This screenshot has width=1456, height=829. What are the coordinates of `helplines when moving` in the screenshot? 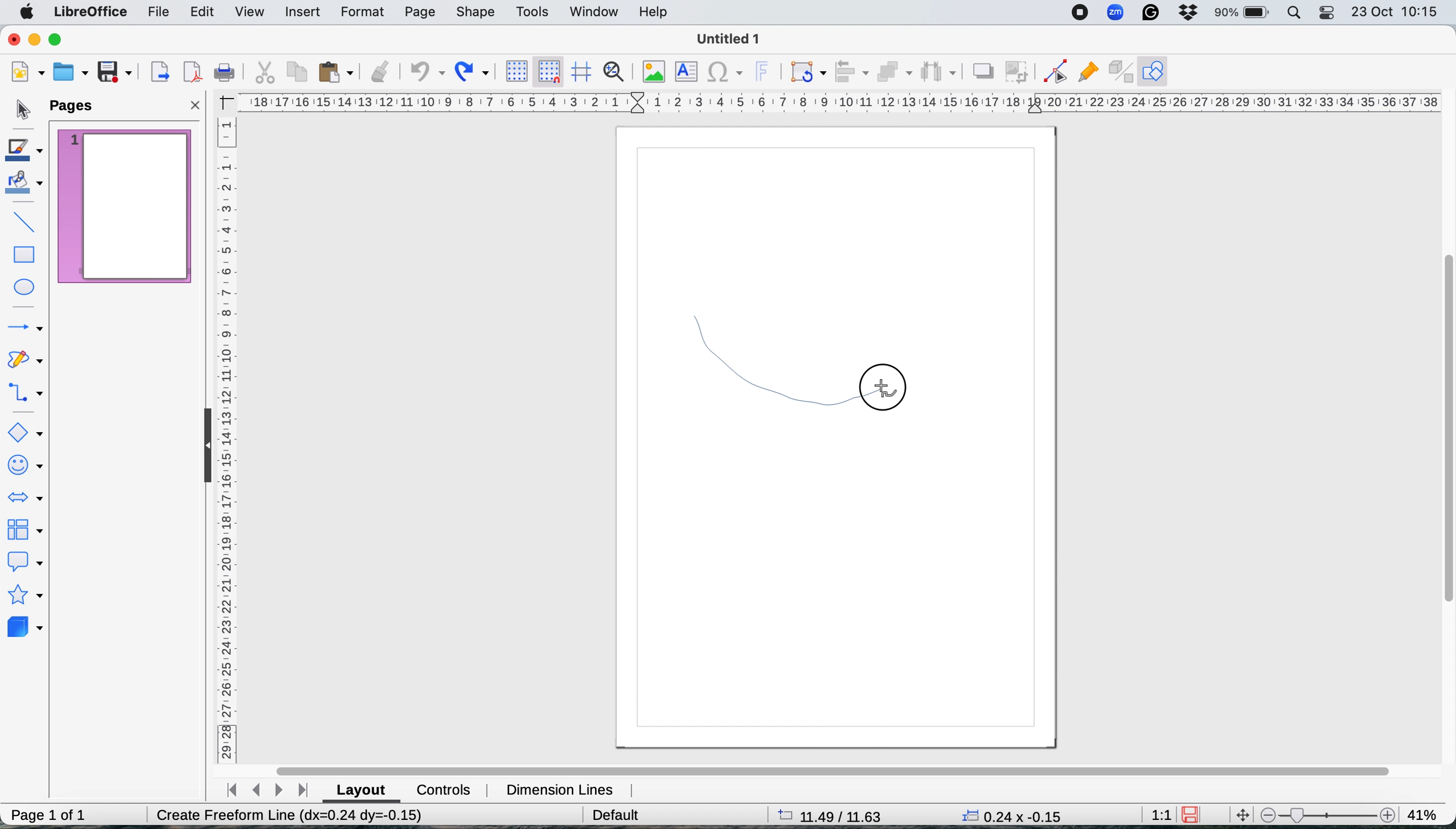 It's located at (580, 72).